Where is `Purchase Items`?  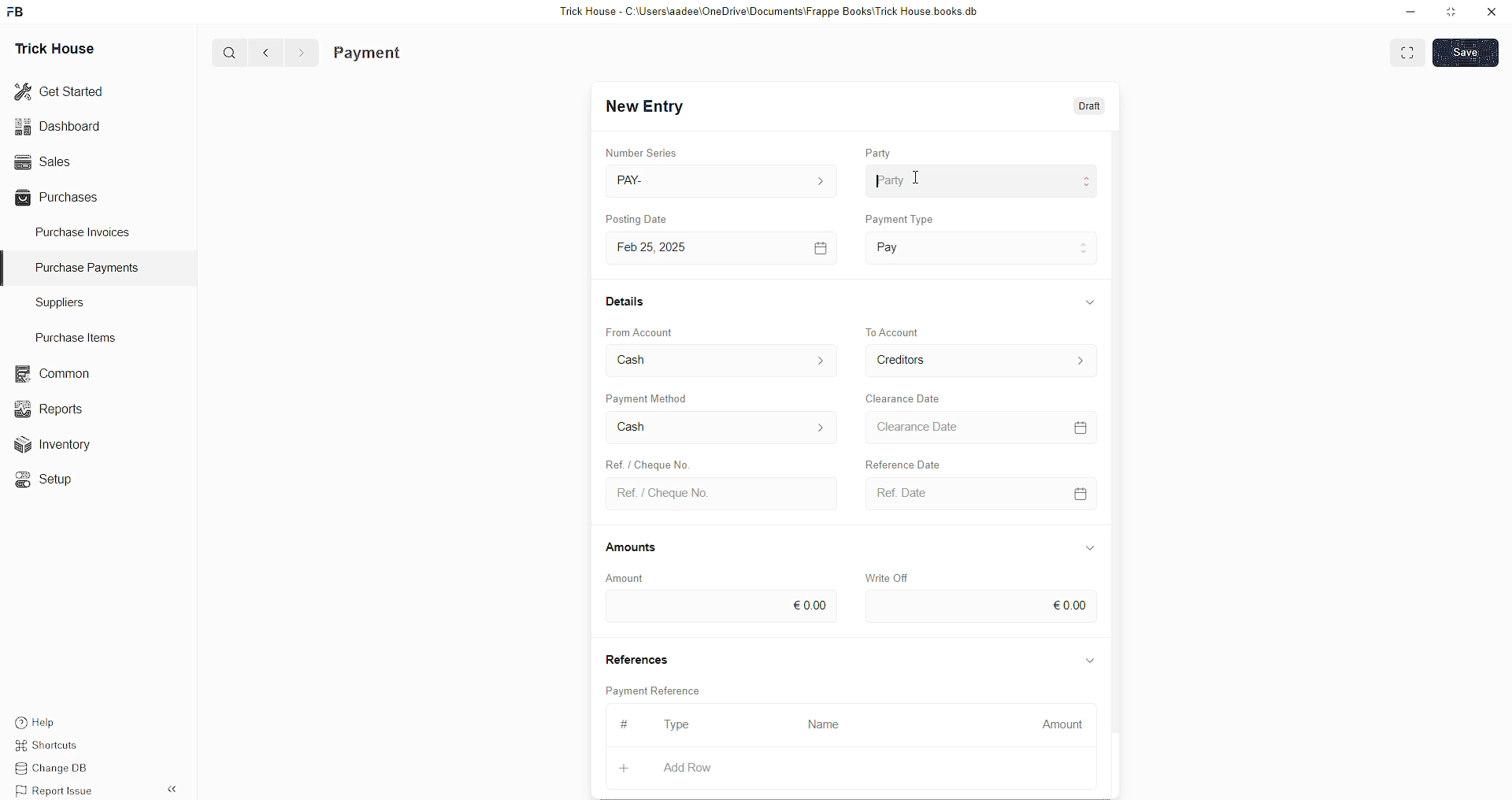 Purchase Items is located at coordinates (80, 335).